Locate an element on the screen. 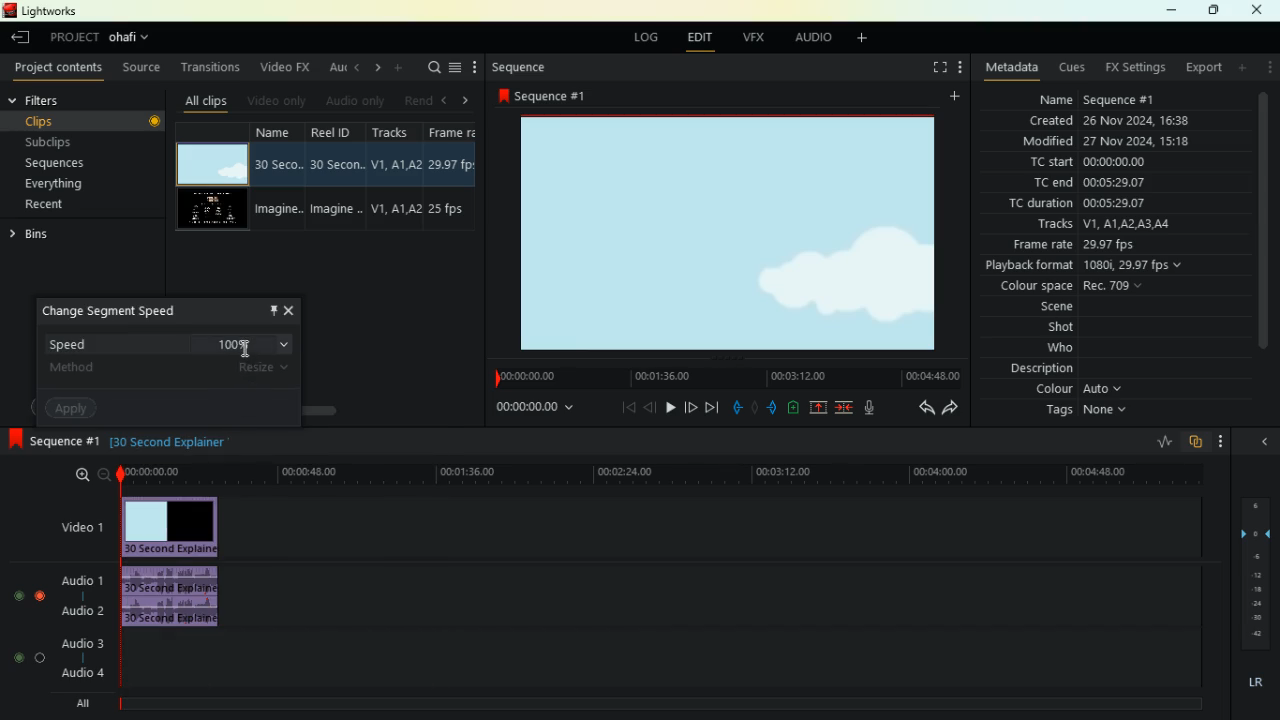 Image resolution: width=1280 pixels, height=720 pixels. layers is located at coordinates (1252, 573).